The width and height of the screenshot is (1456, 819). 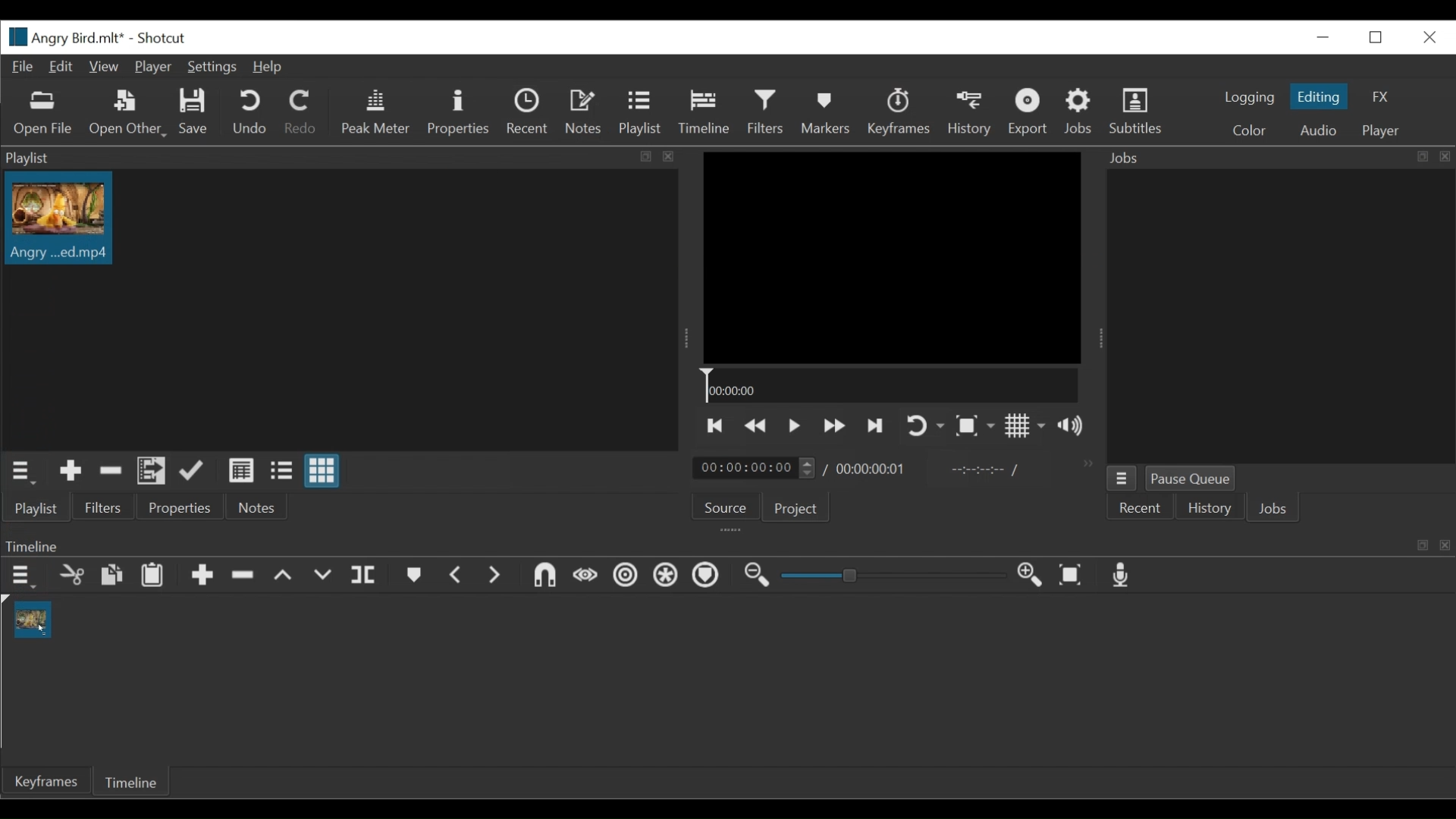 What do you see at coordinates (325, 575) in the screenshot?
I see `Overwrite` at bounding box center [325, 575].